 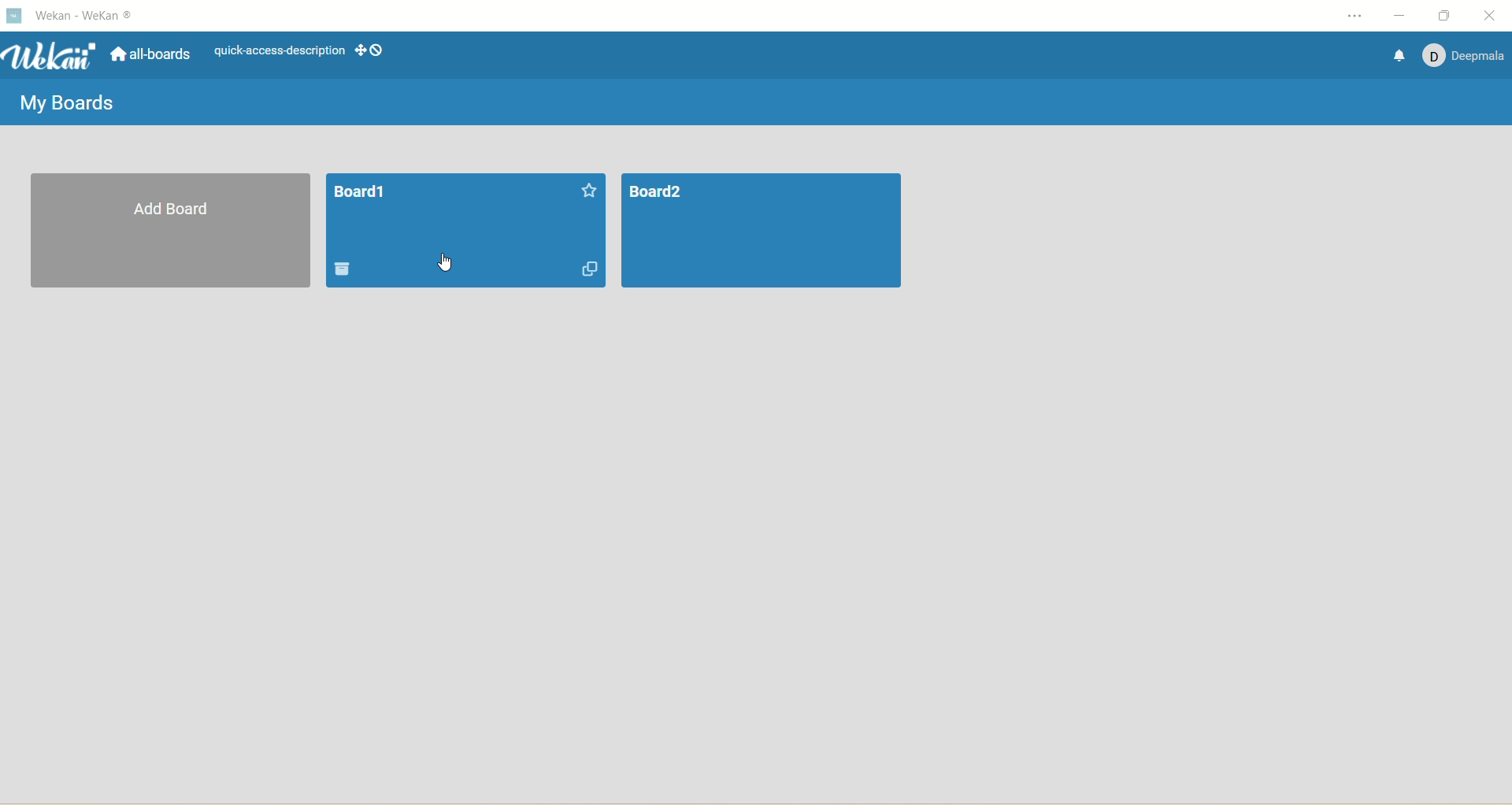 What do you see at coordinates (1462, 52) in the screenshot?
I see `account` at bounding box center [1462, 52].